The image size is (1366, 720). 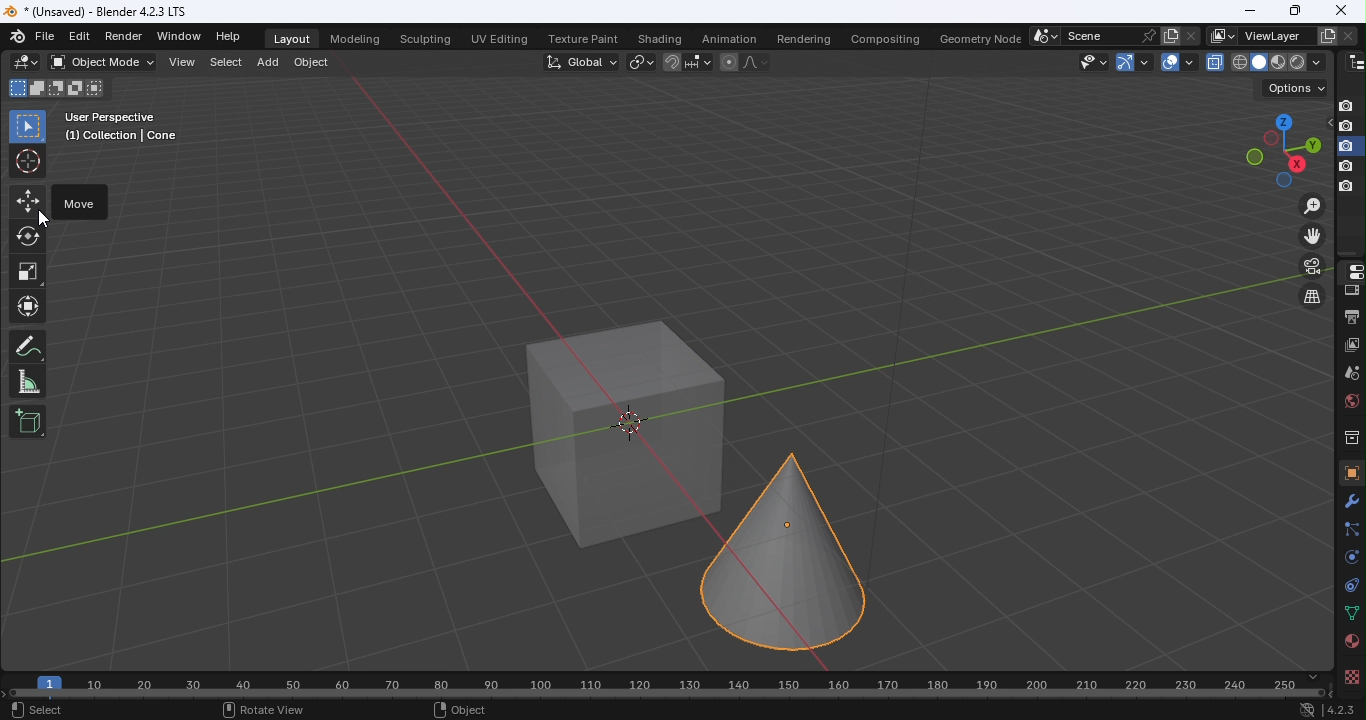 What do you see at coordinates (1275, 36) in the screenshot?
I see `Name` at bounding box center [1275, 36].